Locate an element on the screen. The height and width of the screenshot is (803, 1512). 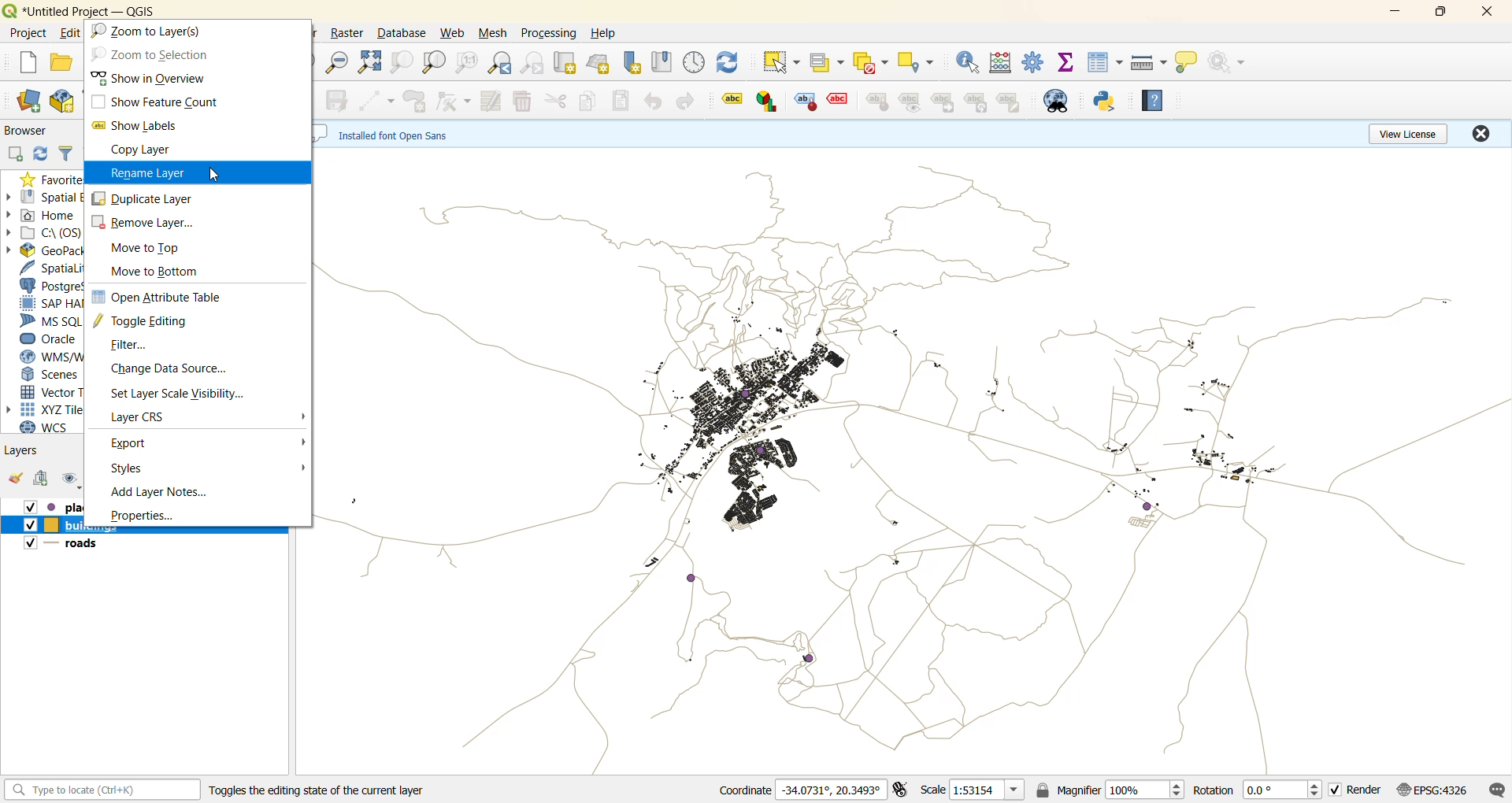
wcs is located at coordinates (54, 429).